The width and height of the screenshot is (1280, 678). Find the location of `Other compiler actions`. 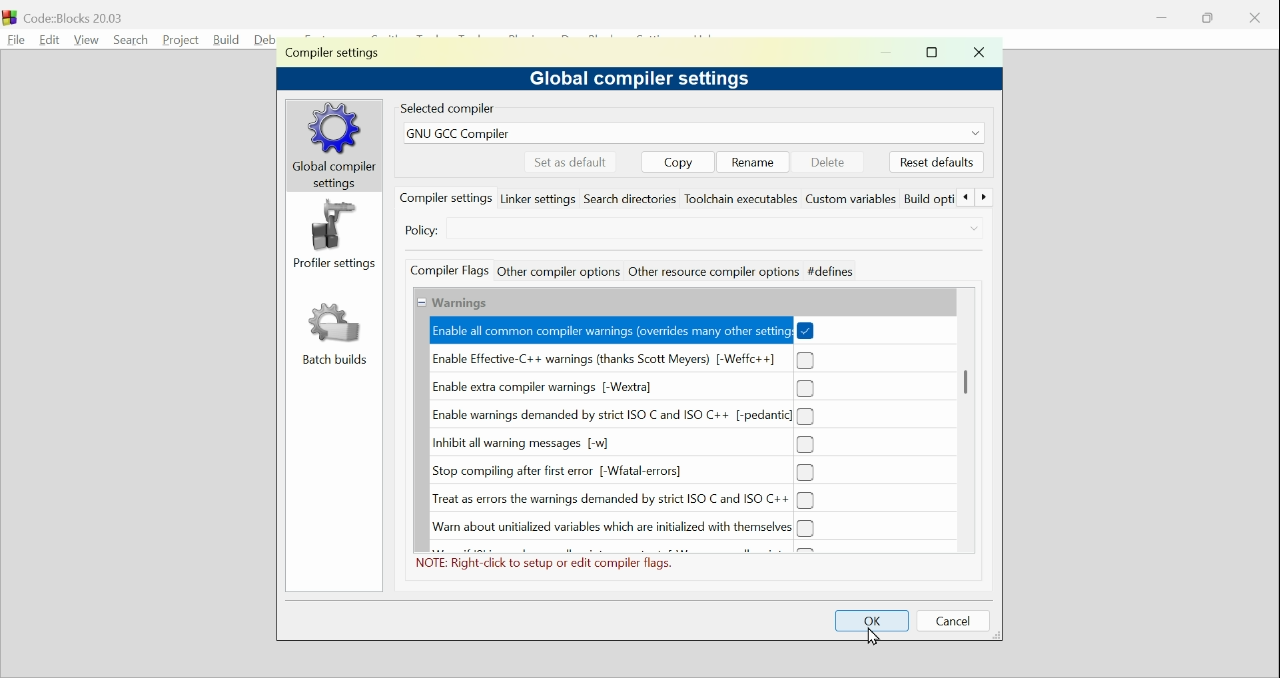

Other compiler actions is located at coordinates (557, 271).